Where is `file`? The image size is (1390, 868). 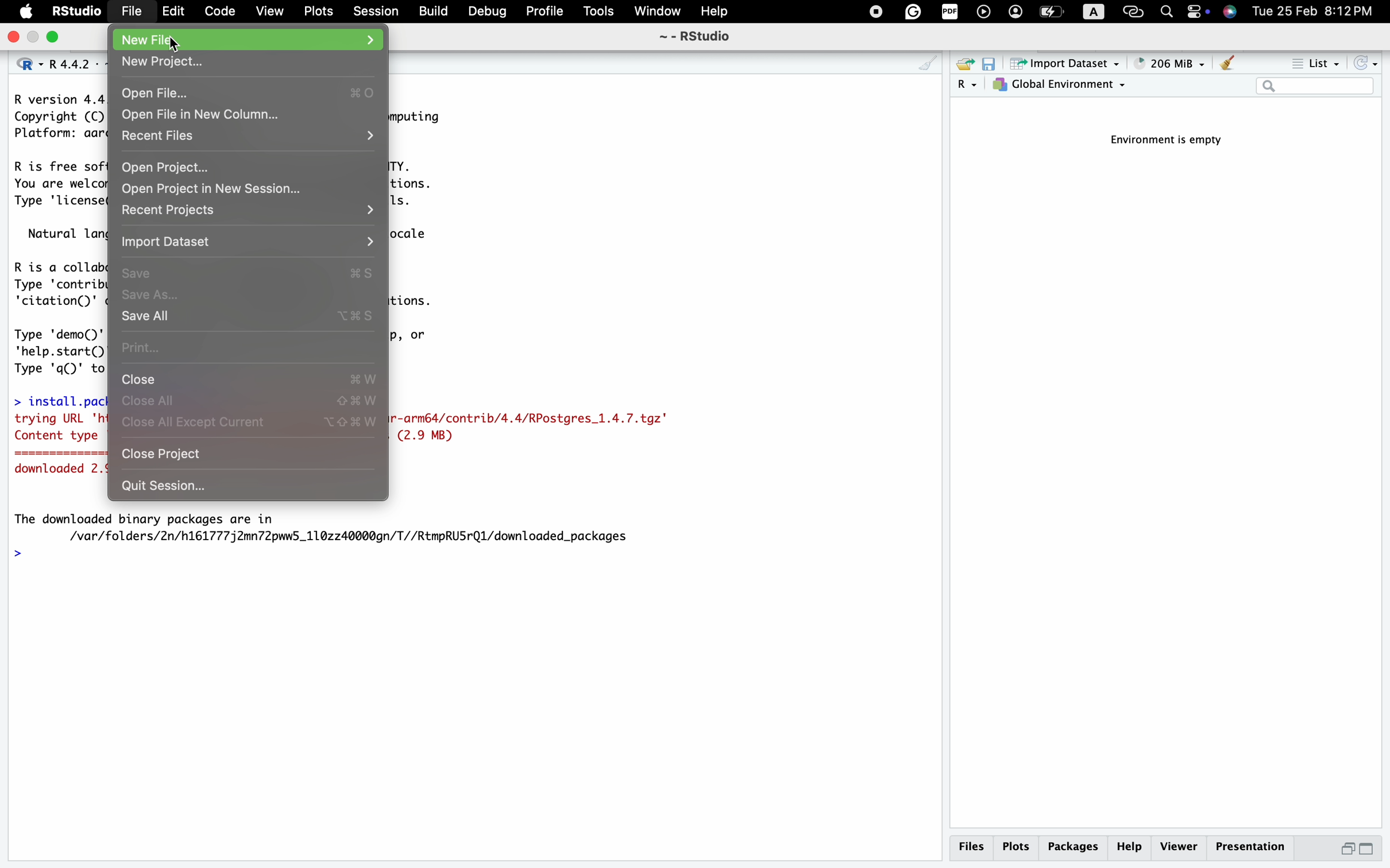
file is located at coordinates (130, 10).